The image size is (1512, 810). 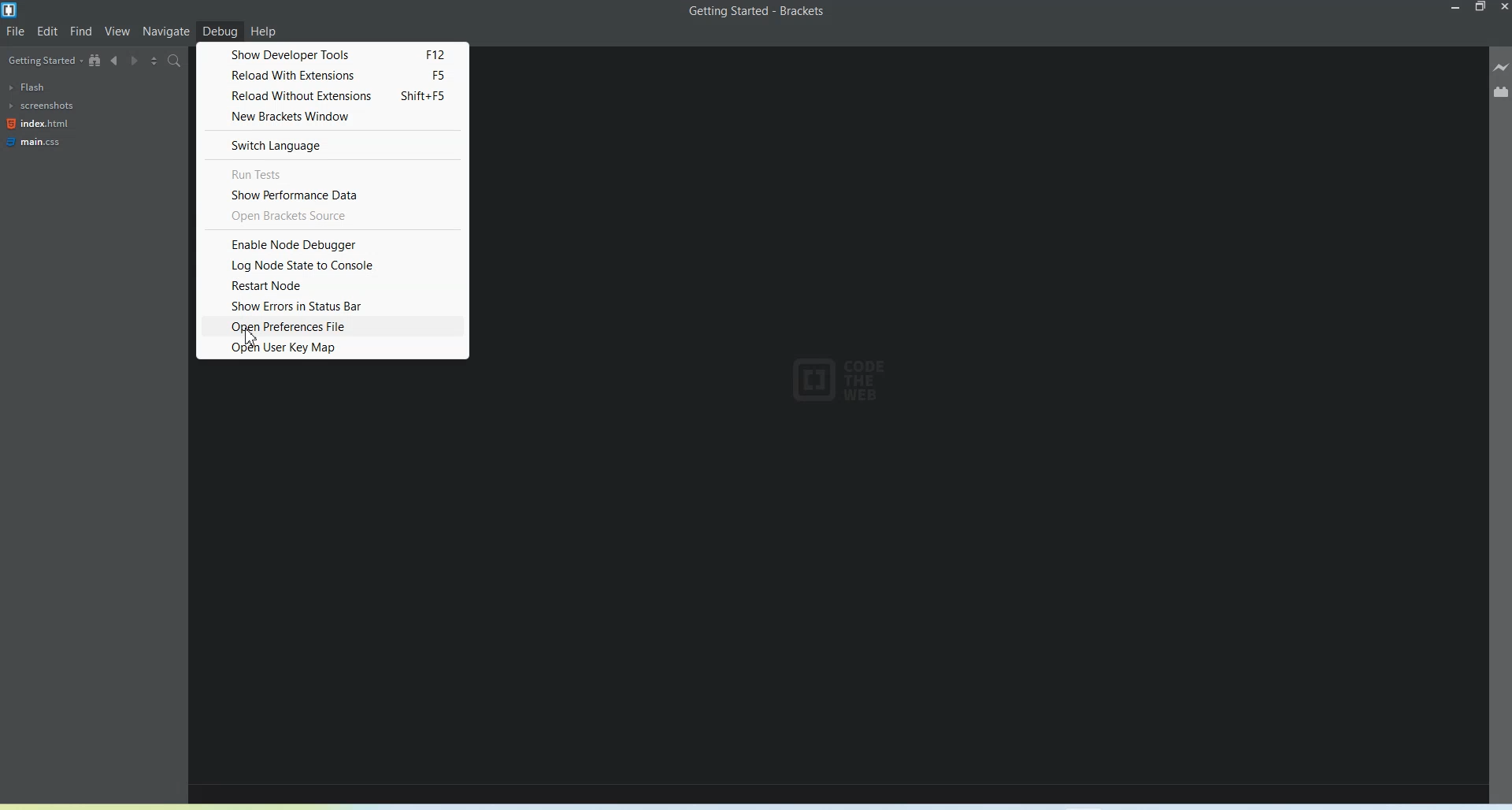 What do you see at coordinates (332, 54) in the screenshot?
I see `Show Developer Tools` at bounding box center [332, 54].